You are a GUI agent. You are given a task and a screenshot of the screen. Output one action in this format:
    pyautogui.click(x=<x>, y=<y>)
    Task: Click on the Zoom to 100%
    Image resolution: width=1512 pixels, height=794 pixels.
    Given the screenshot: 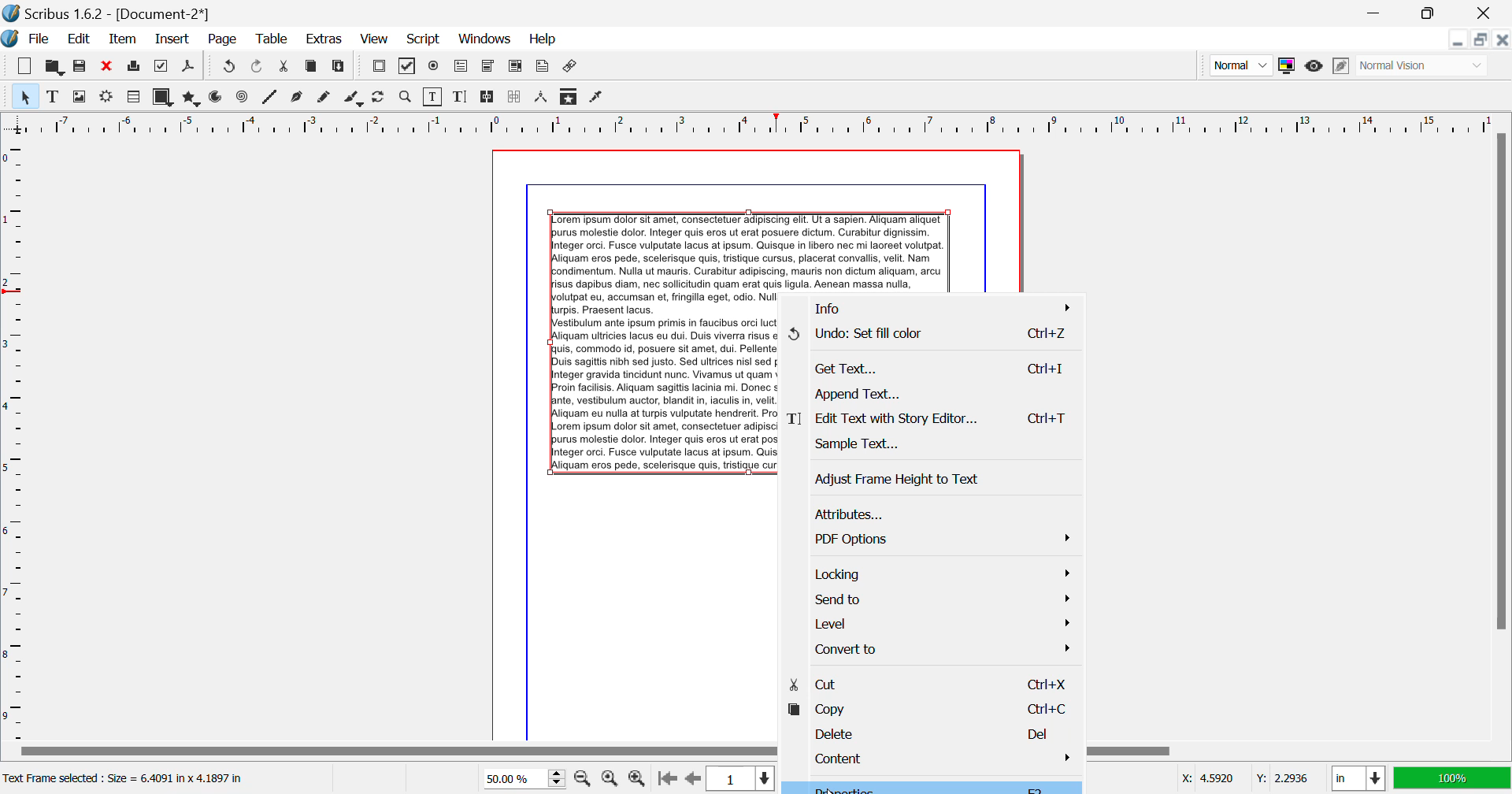 What is the action you would take?
    pyautogui.click(x=610, y=778)
    